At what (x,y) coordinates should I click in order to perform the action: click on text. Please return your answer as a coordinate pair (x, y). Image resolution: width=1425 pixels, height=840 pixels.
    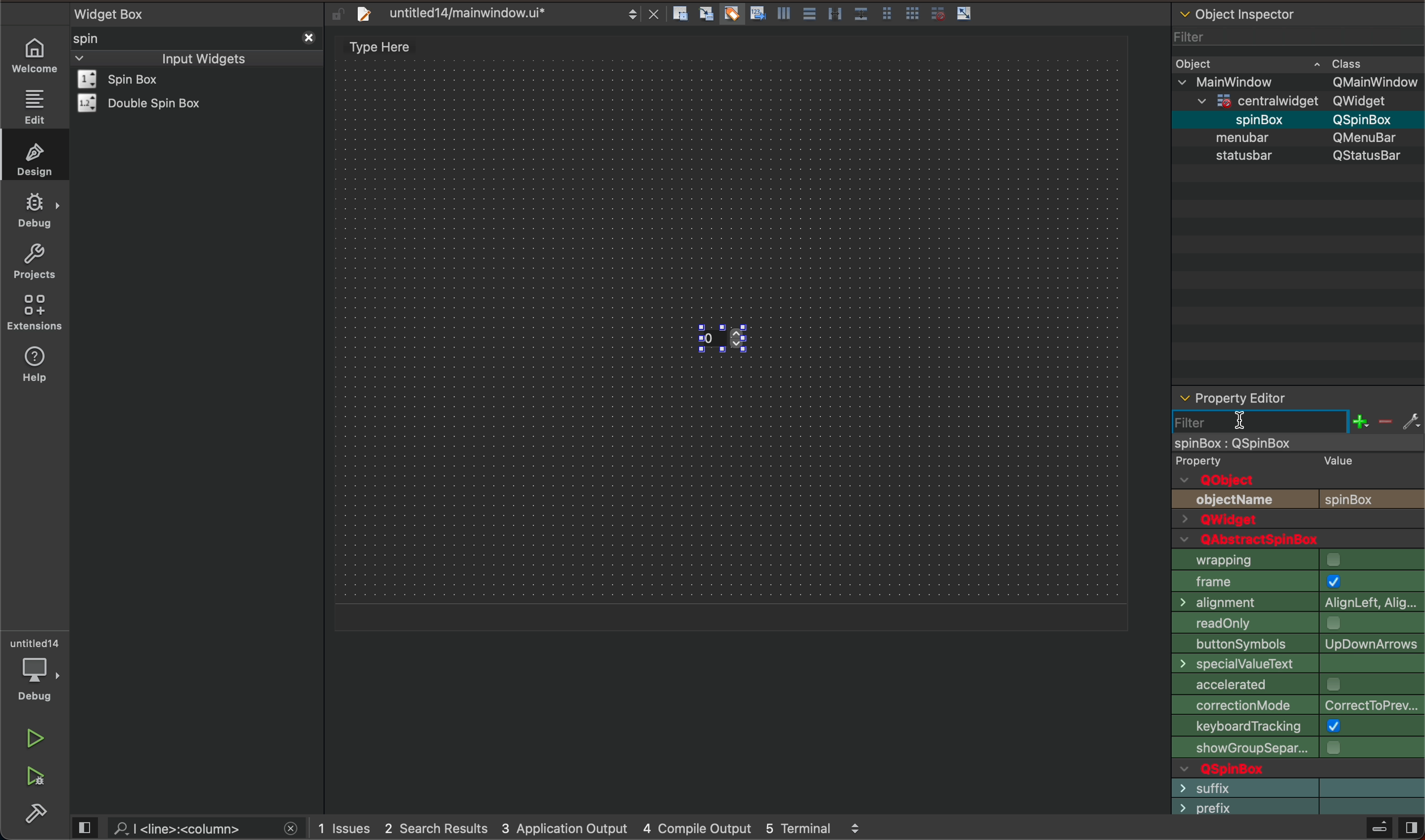
    Looking at the image, I should click on (1223, 480).